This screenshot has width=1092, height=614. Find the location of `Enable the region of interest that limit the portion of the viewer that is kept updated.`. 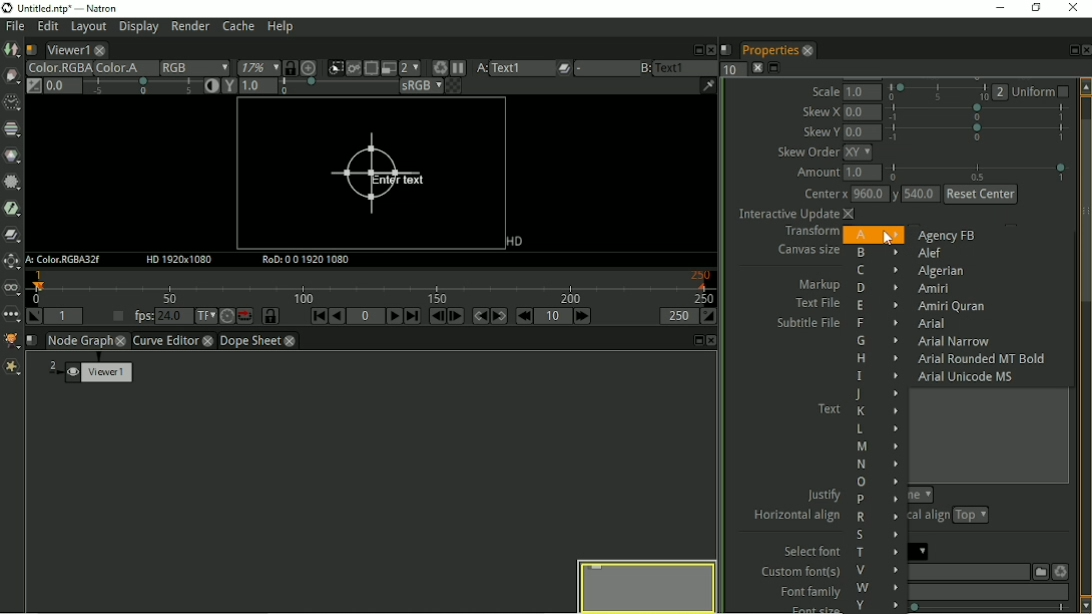

Enable the region of interest that limit the portion of the viewer that is kept updated. is located at coordinates (371, 66).